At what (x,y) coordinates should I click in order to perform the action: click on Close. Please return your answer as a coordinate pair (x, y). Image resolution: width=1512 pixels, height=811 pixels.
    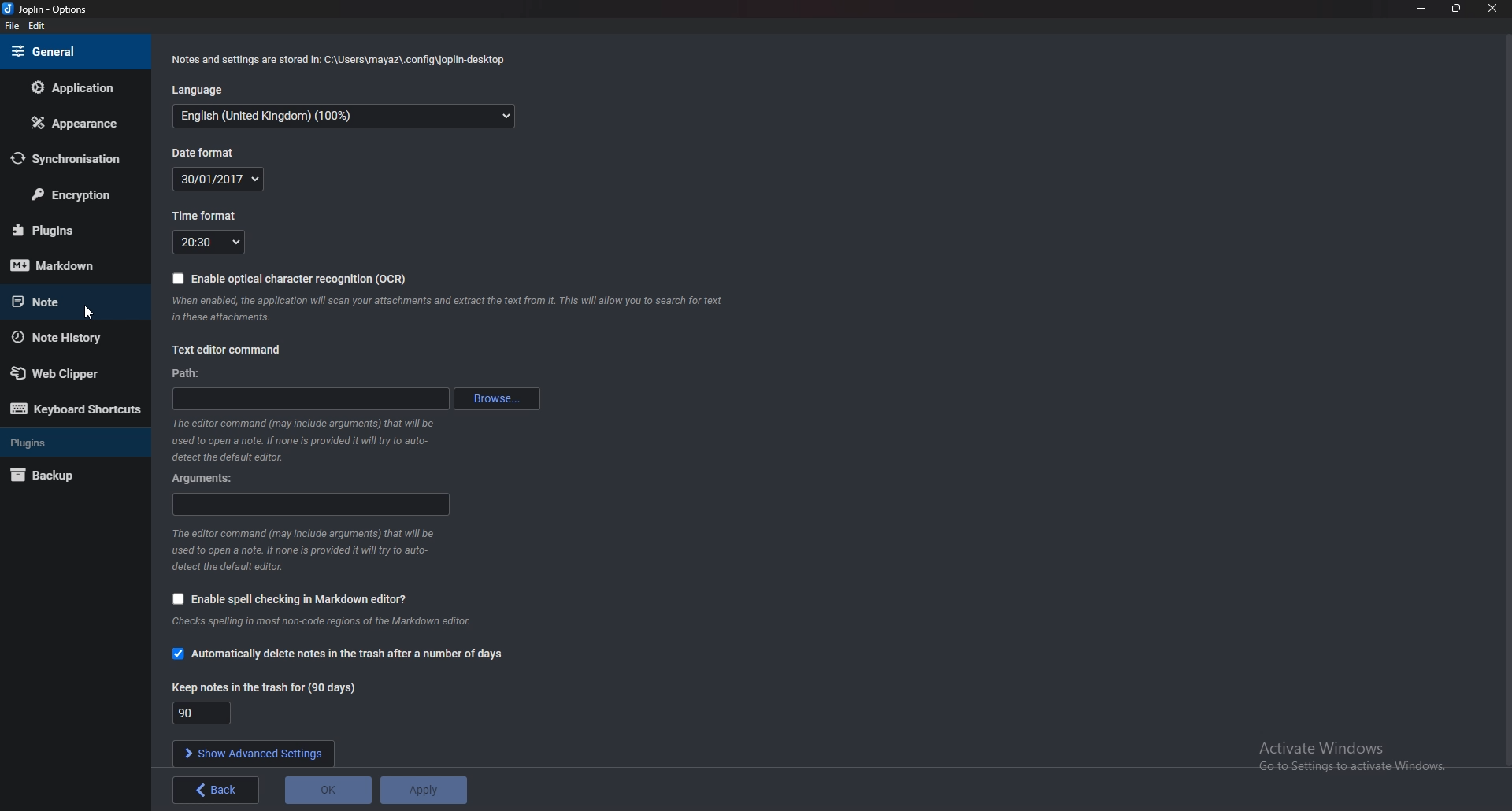
    Looking at the image, I should click on (1492, 8).